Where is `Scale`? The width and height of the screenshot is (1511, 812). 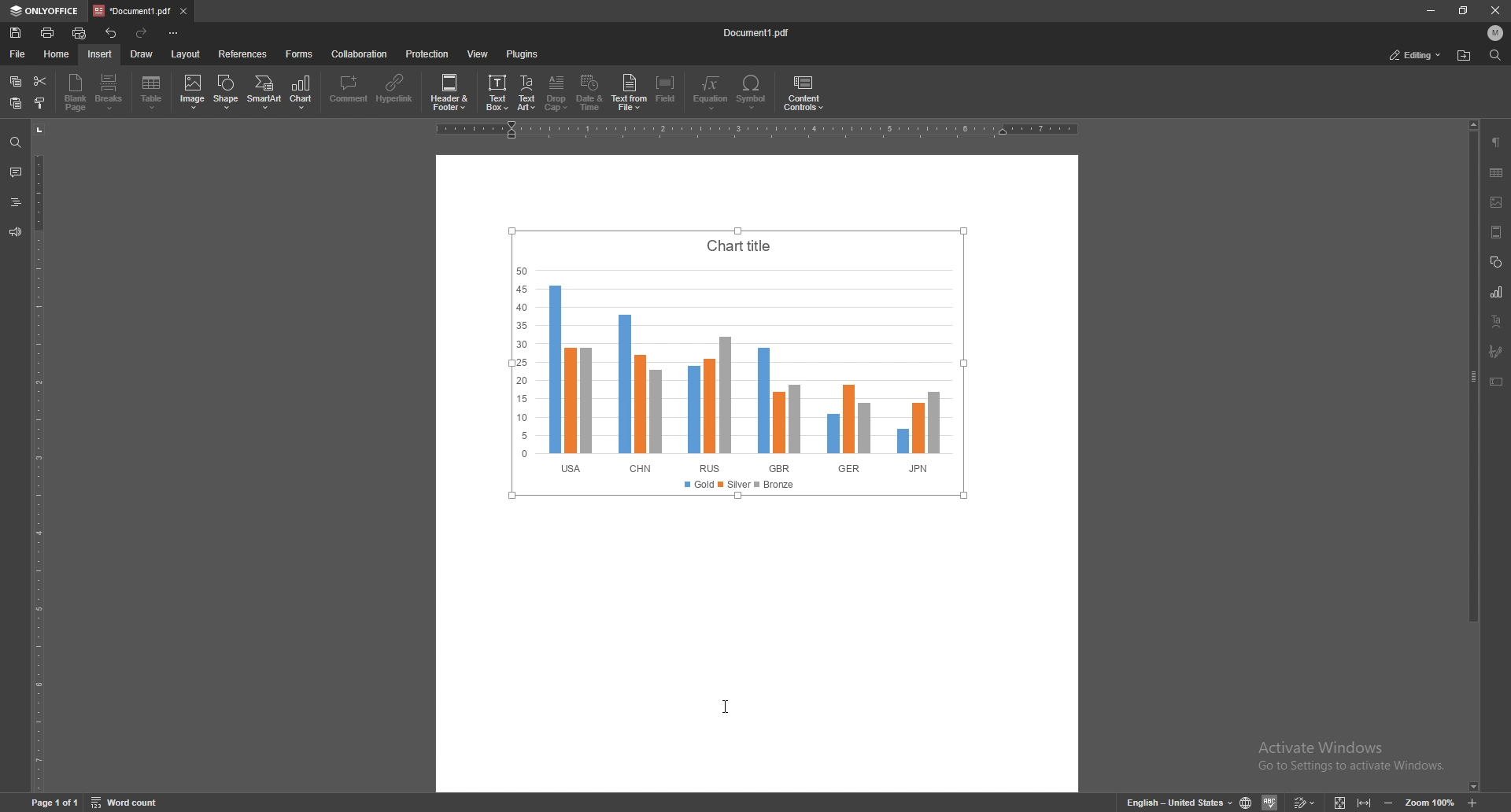
Scale is located at coordinates (761, 131).